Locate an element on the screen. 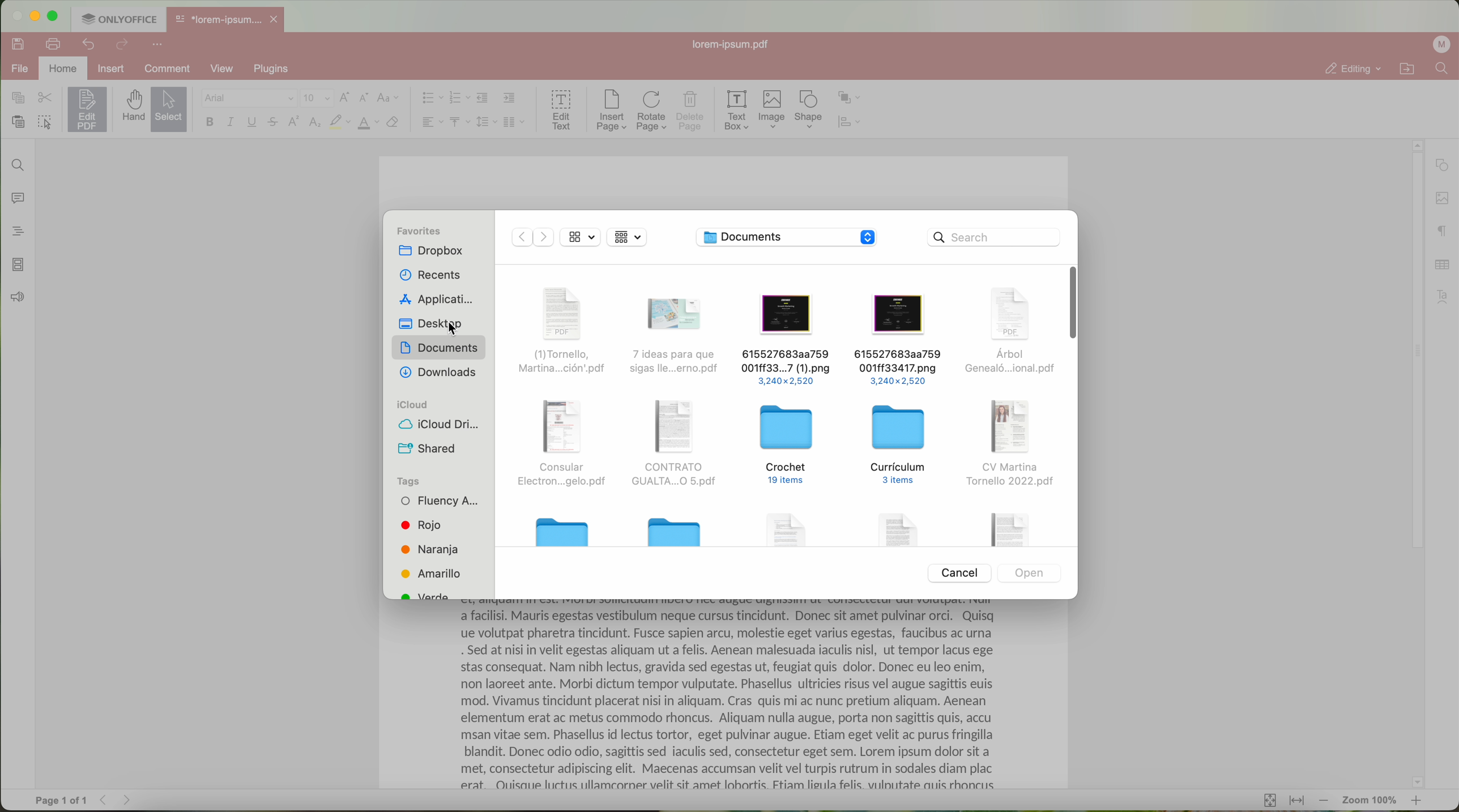 The image size is (1459, 812). 615527683aa759
001ff33...7 (1).png
3240x2520 is located at coordinates (786, 339).